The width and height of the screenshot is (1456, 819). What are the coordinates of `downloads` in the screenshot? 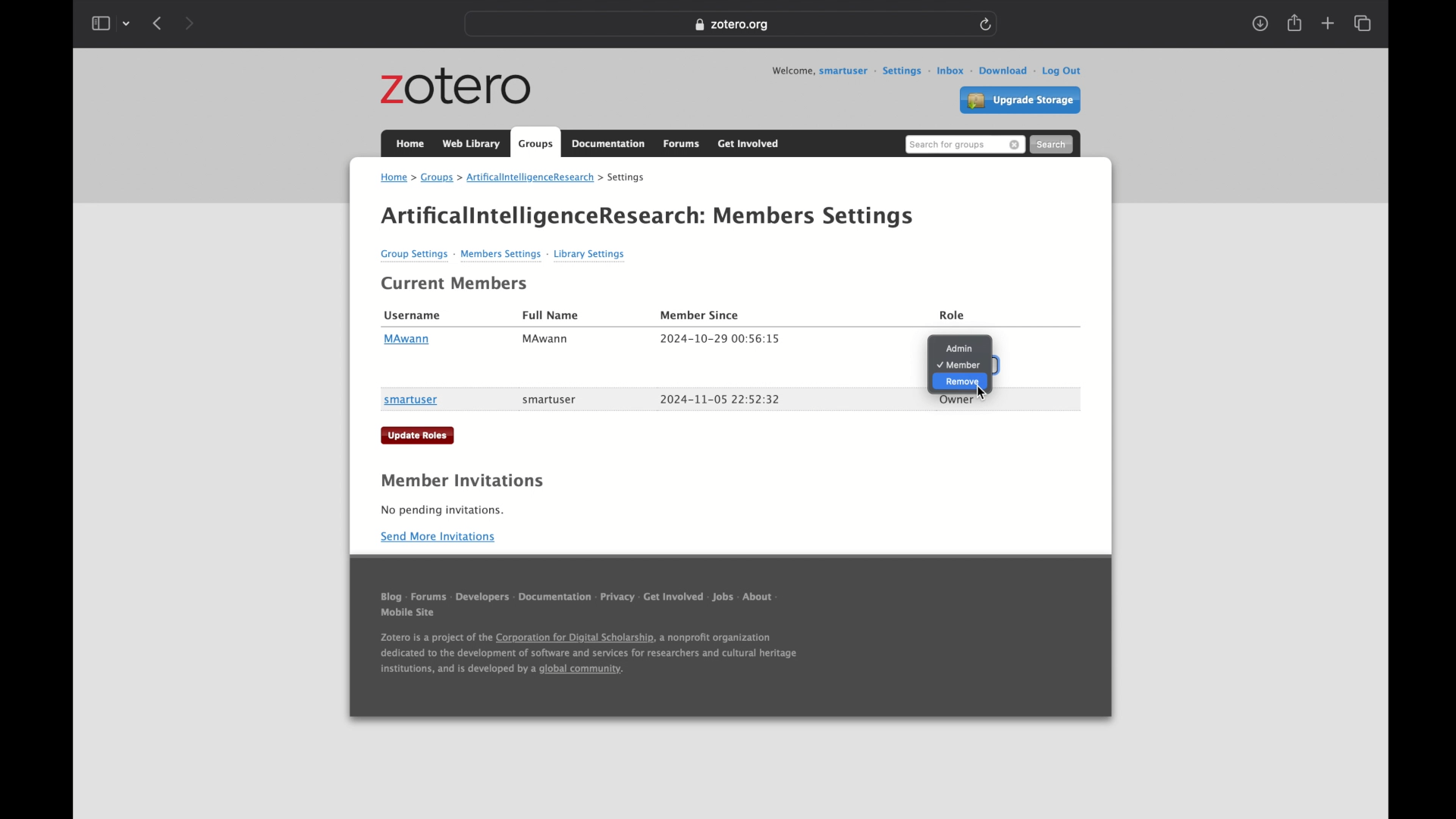 It's located at (1261, 24).